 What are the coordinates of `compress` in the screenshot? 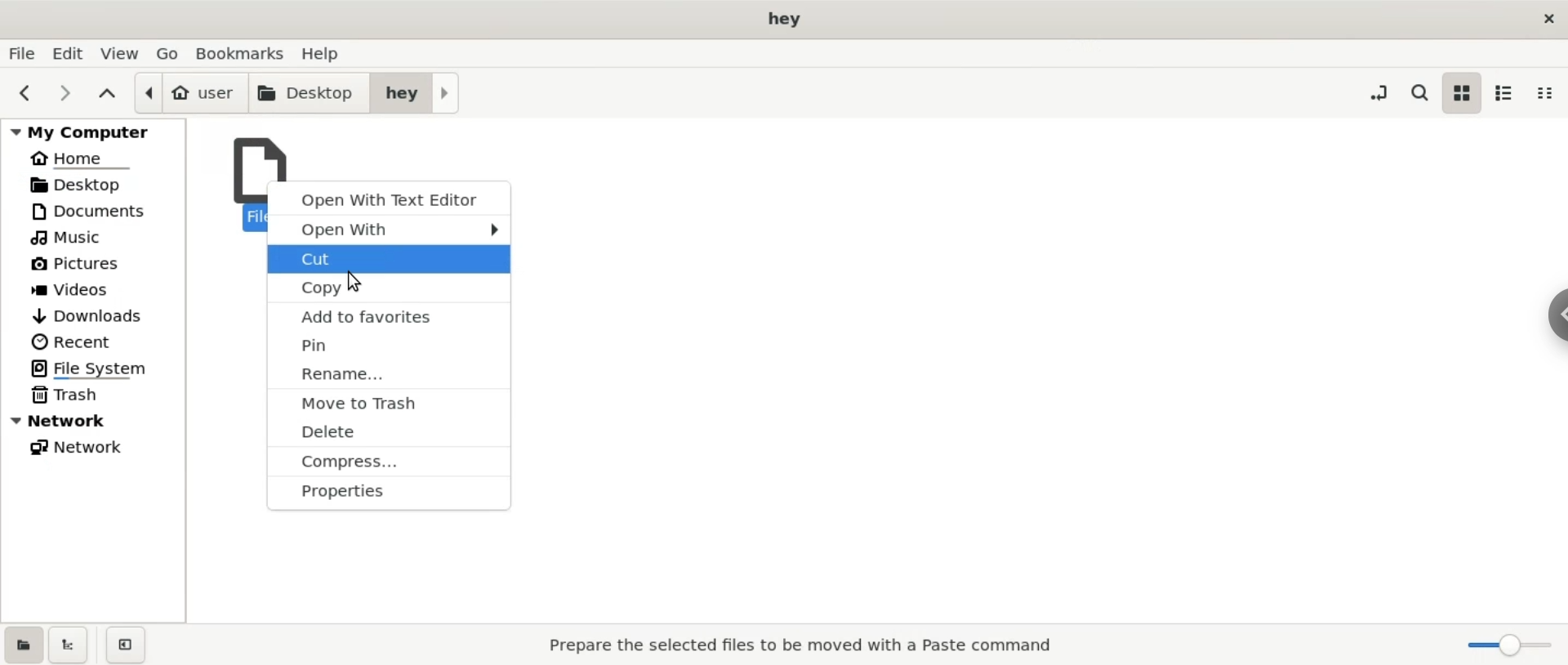 It's located at (388, 463).